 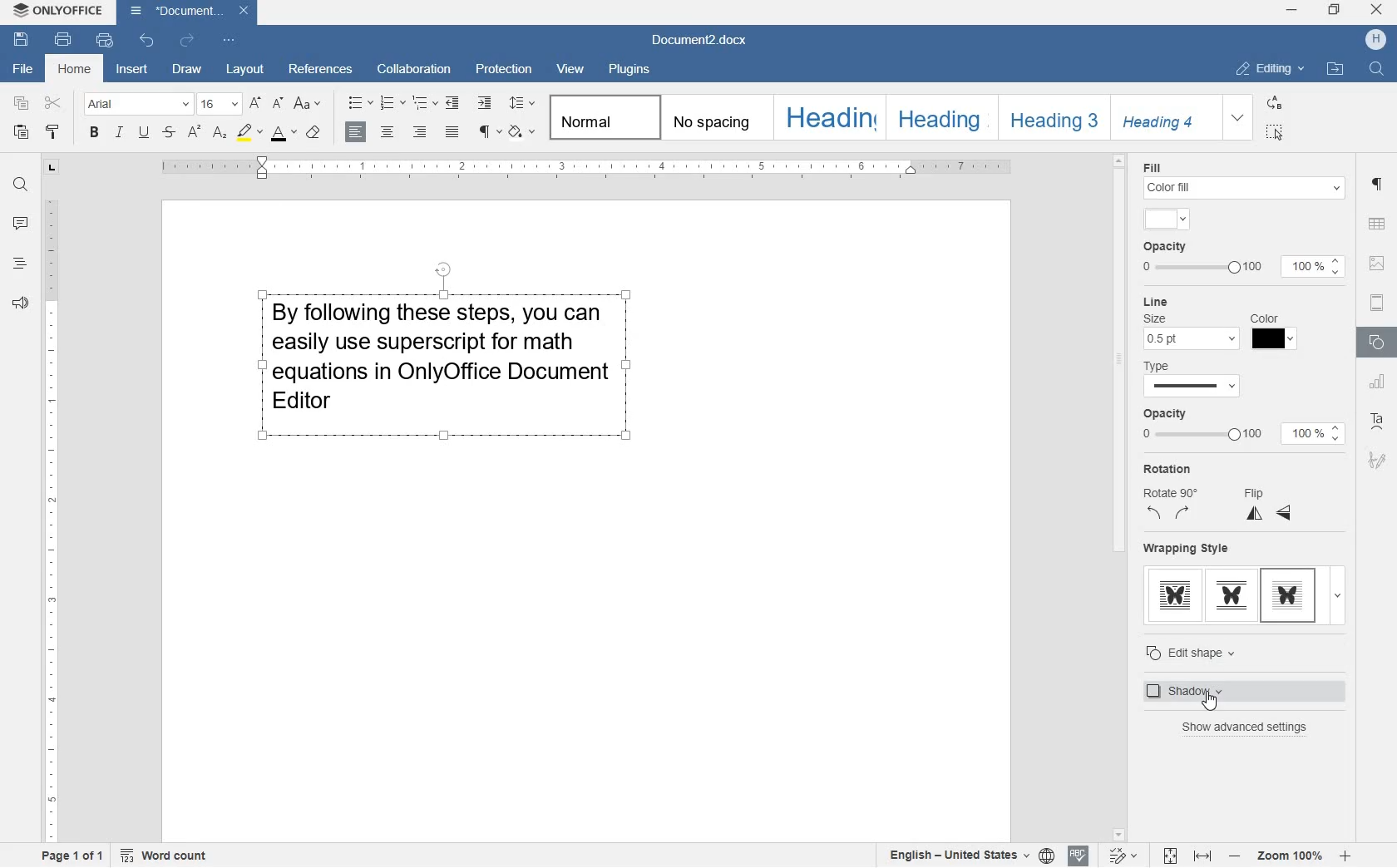 I want to click on font size, so click(x=218, y=104).